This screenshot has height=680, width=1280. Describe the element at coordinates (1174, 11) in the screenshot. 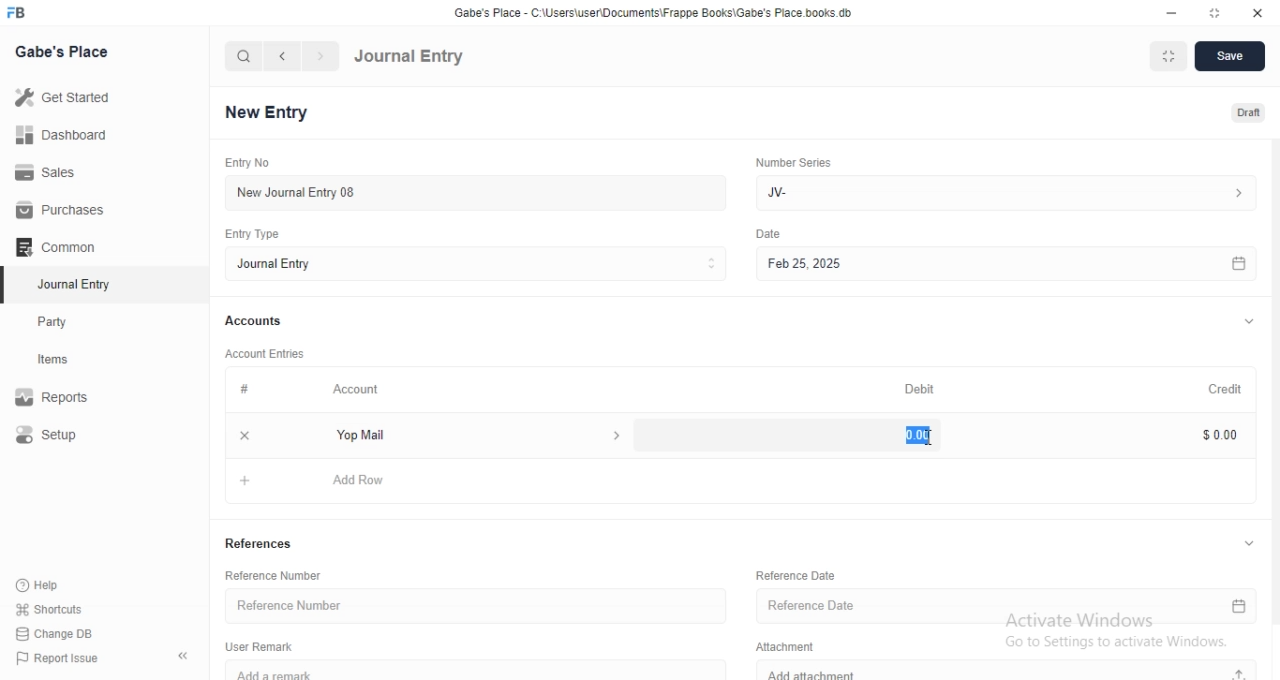

I see `minimize` at that location.